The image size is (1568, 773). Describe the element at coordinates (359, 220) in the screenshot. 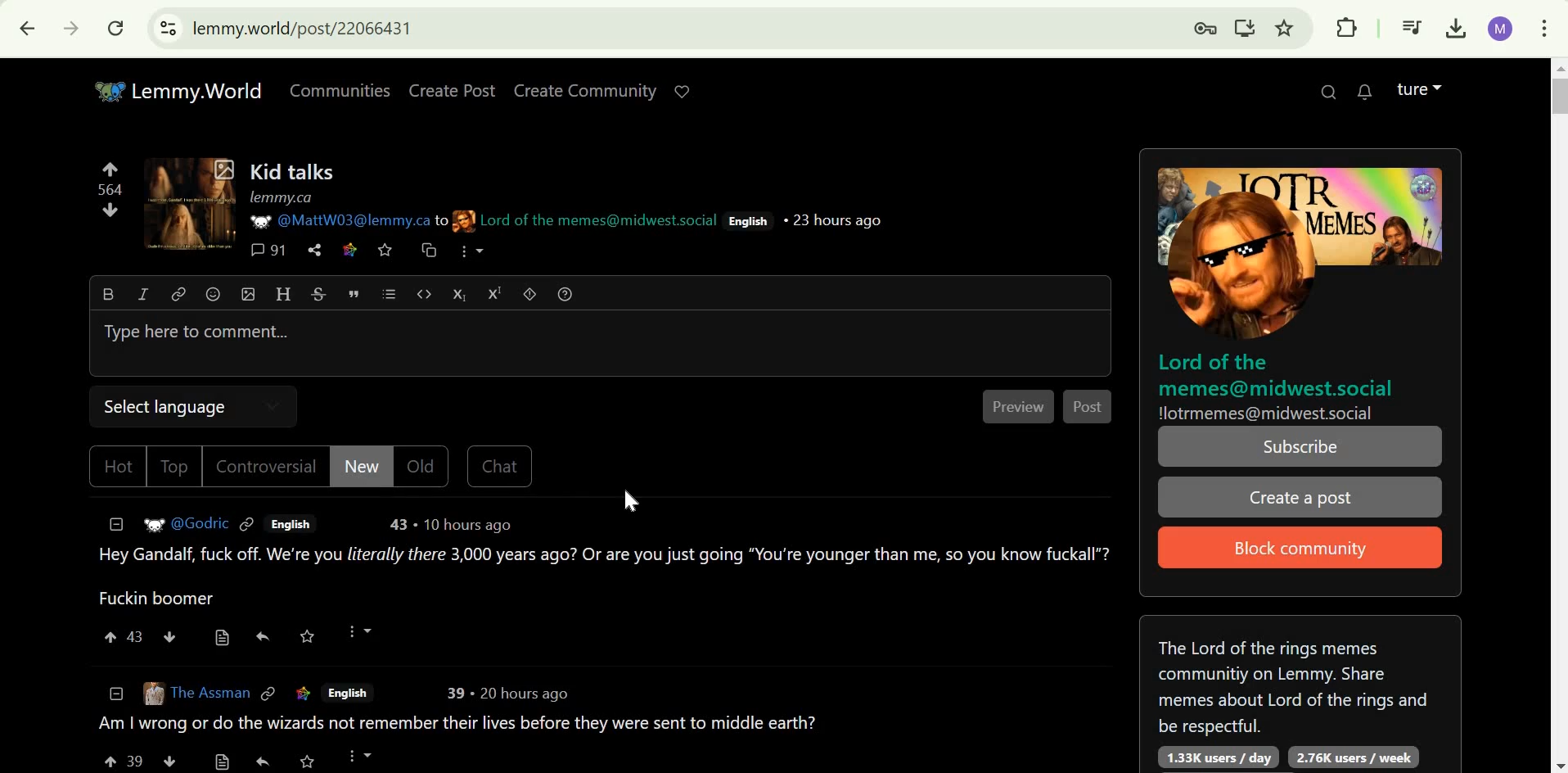

I see `@MattW03@lemmy.ca to` at that location.